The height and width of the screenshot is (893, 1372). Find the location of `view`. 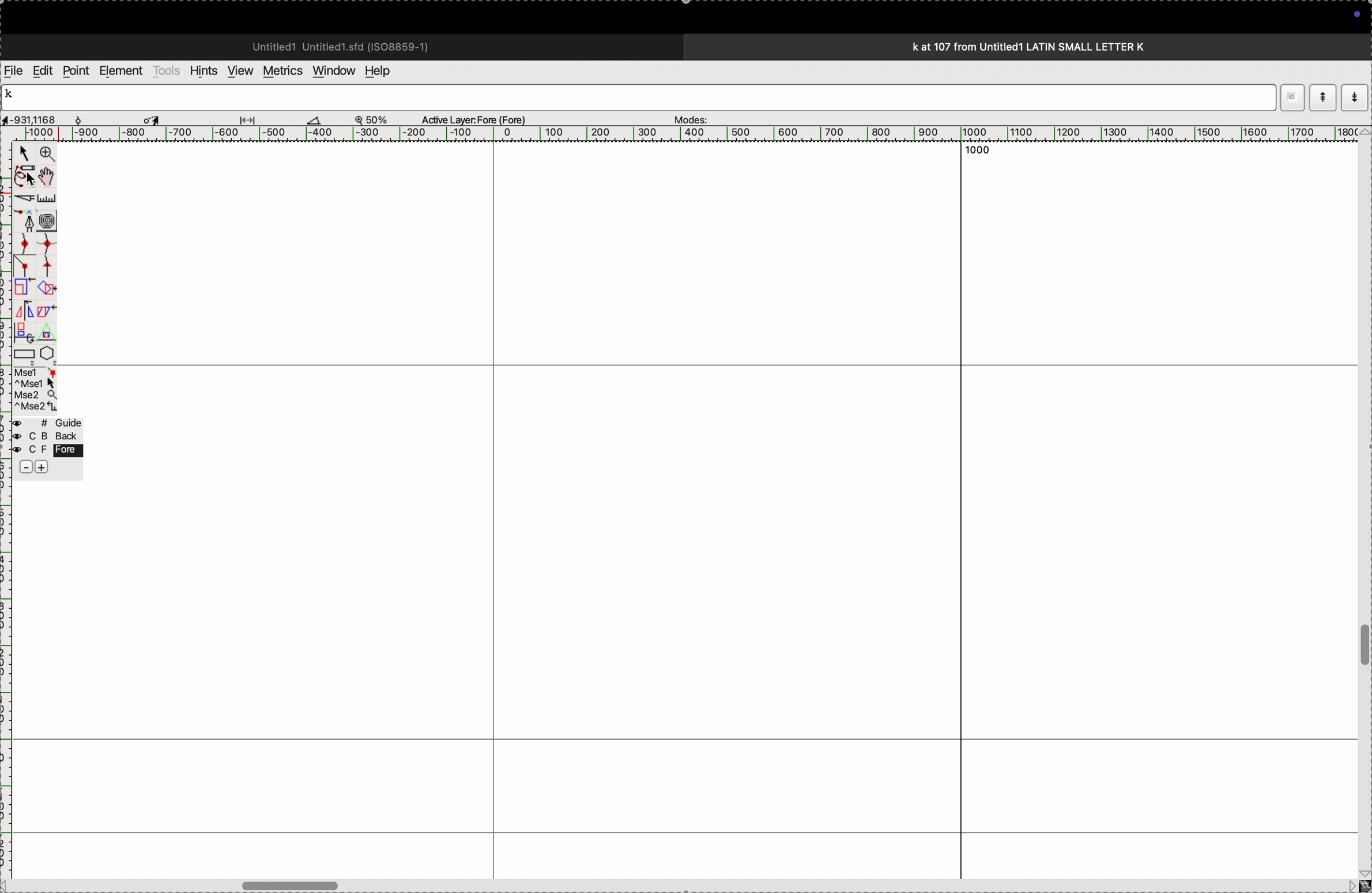

view is located at coordinates (237, 71).